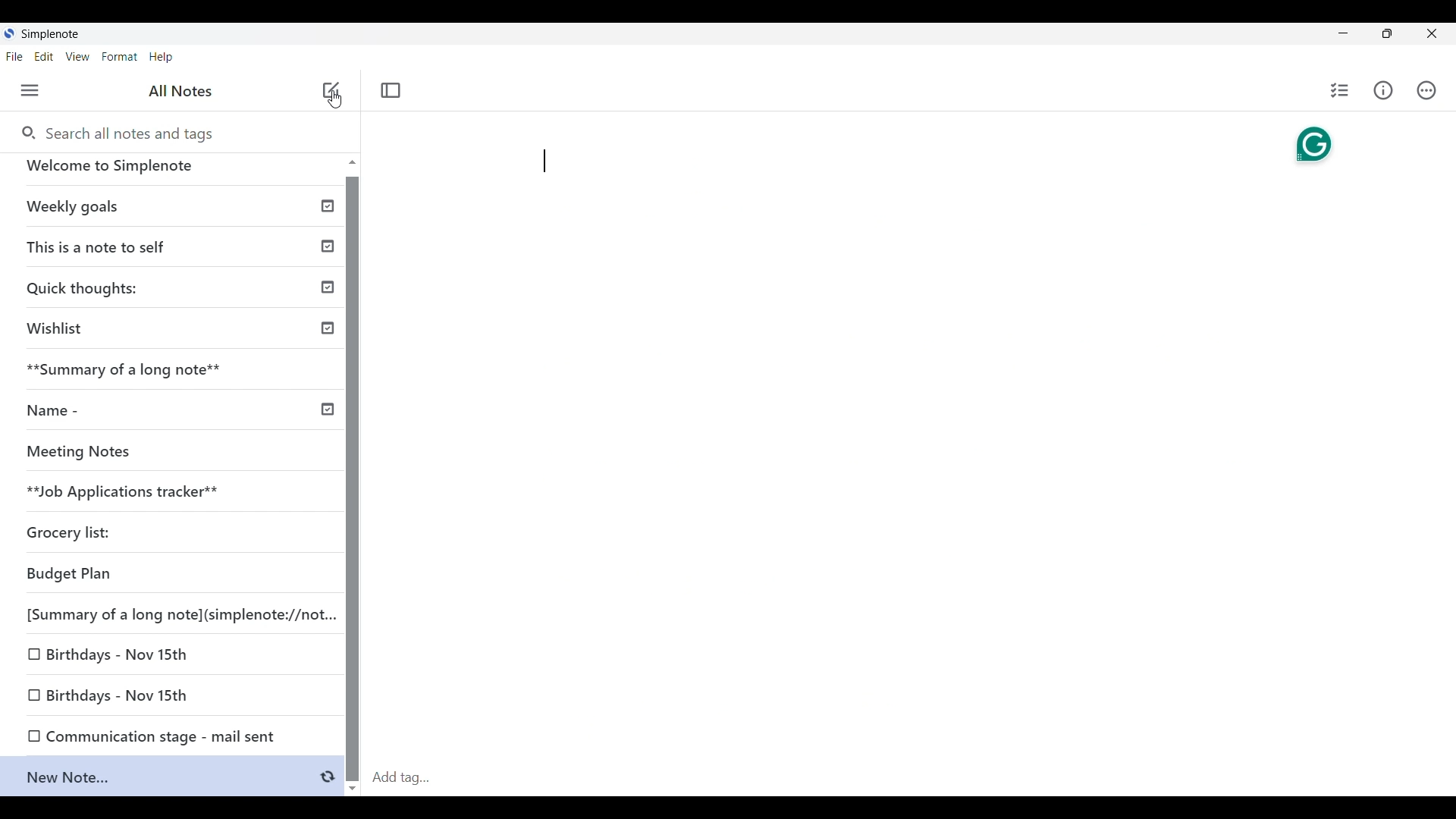  I want to click on Quick slide to bottom, so click(353, 789).